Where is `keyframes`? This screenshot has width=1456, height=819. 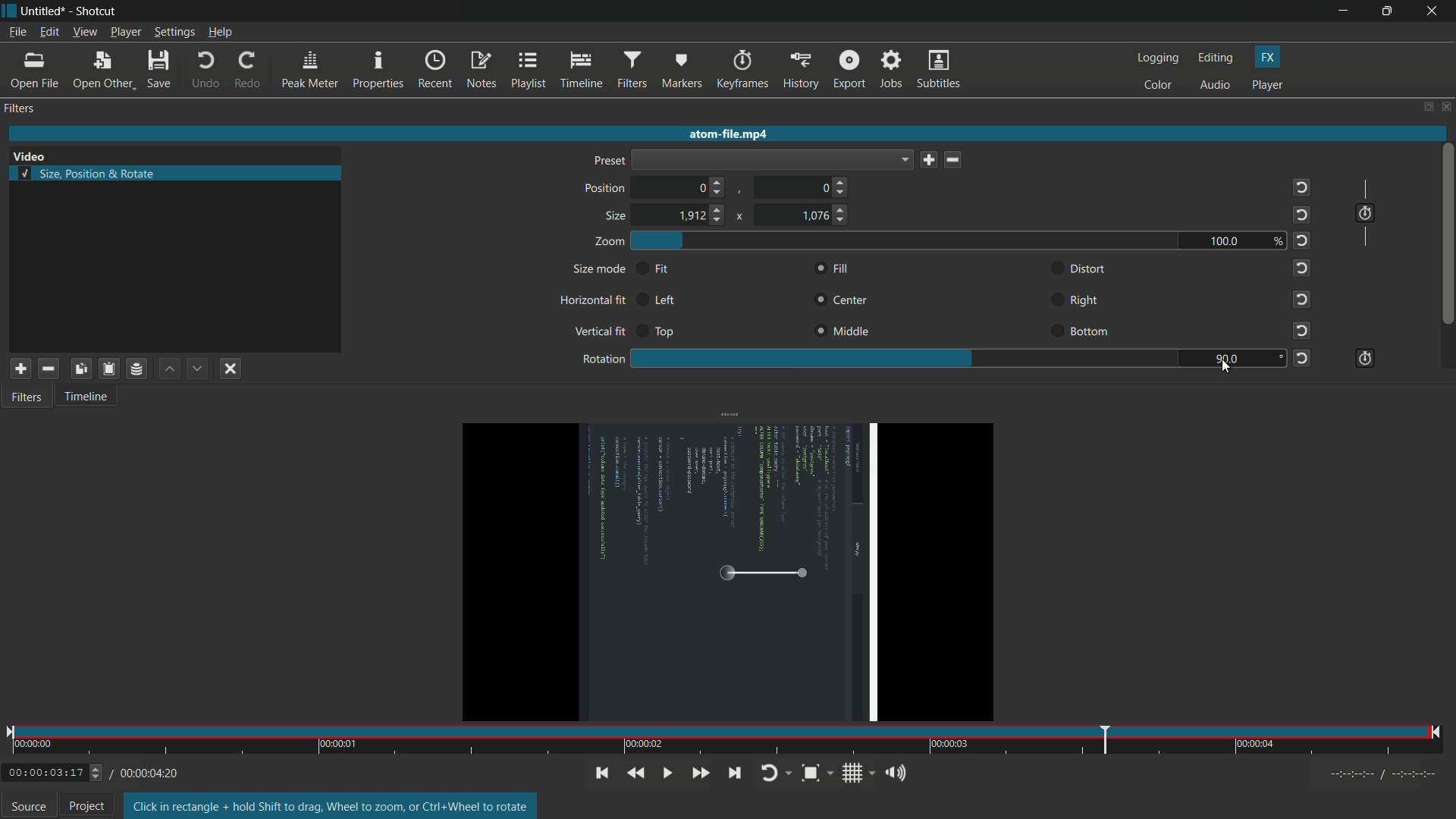
keyframes is located at coordinates (741, 71).